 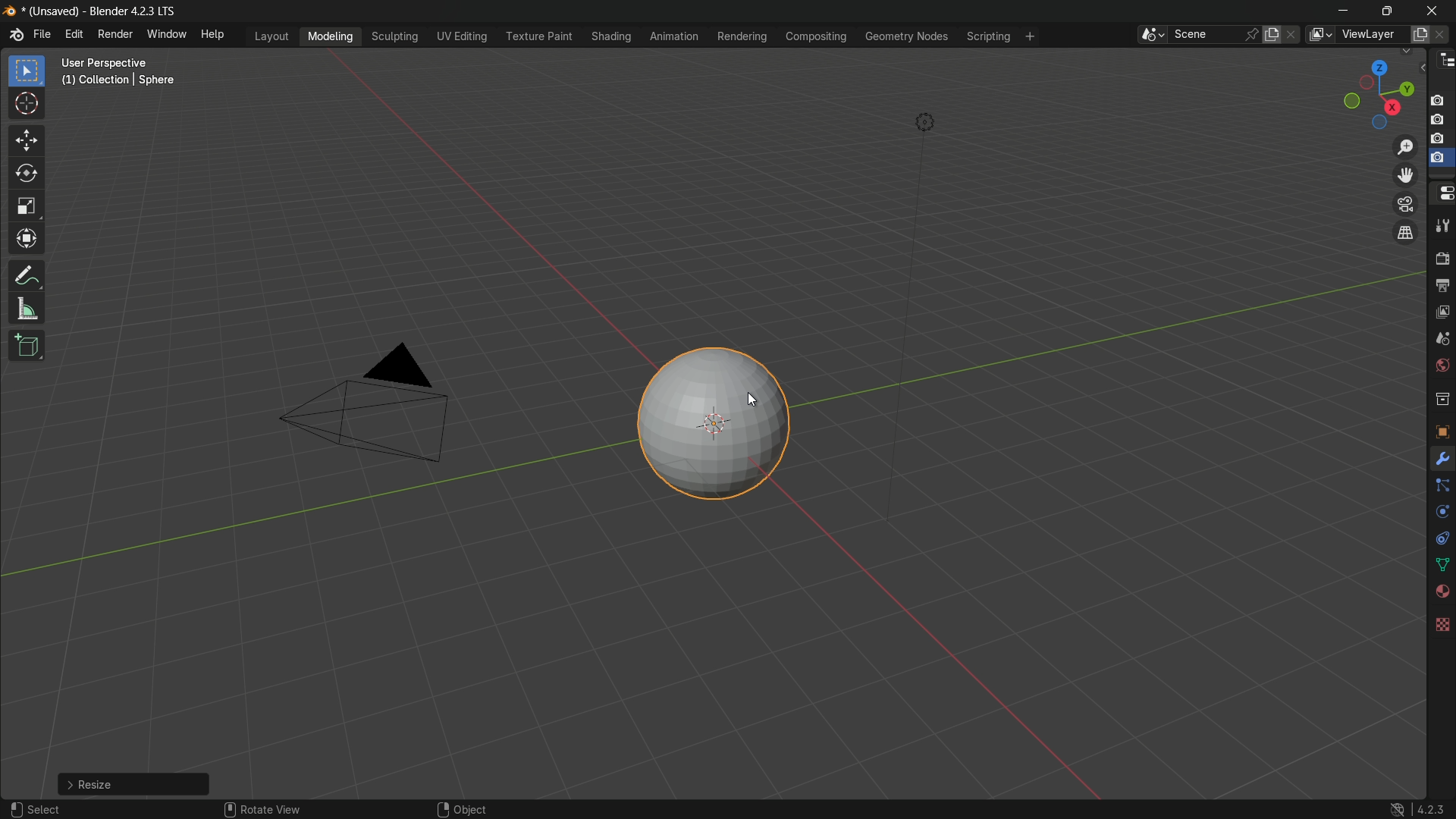 What do you see at coordinates (743, 36) in the screenshot?
I see `rendering menu` at bounding box center [743, 36].